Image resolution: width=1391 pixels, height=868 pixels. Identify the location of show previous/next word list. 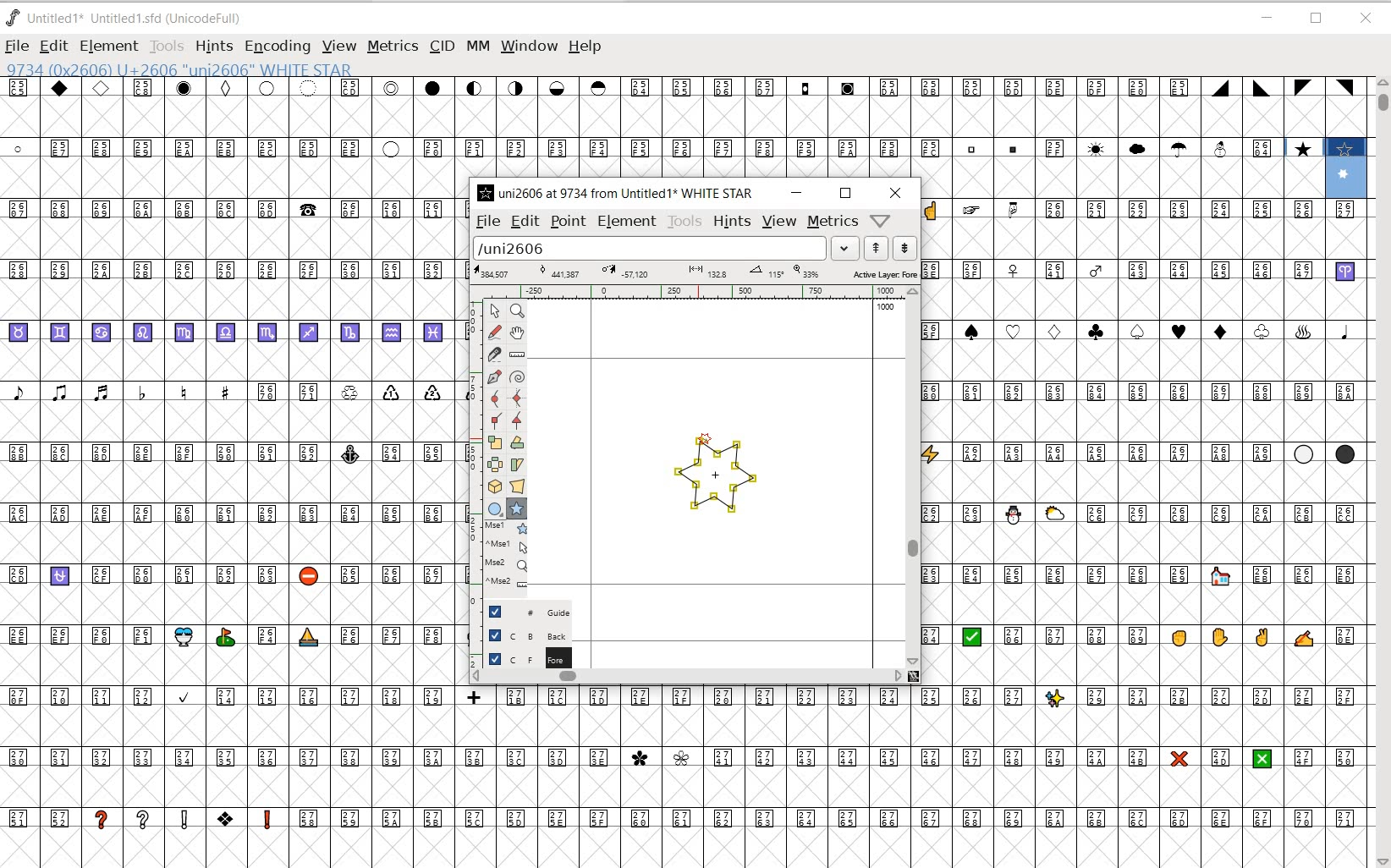
(891, 247).